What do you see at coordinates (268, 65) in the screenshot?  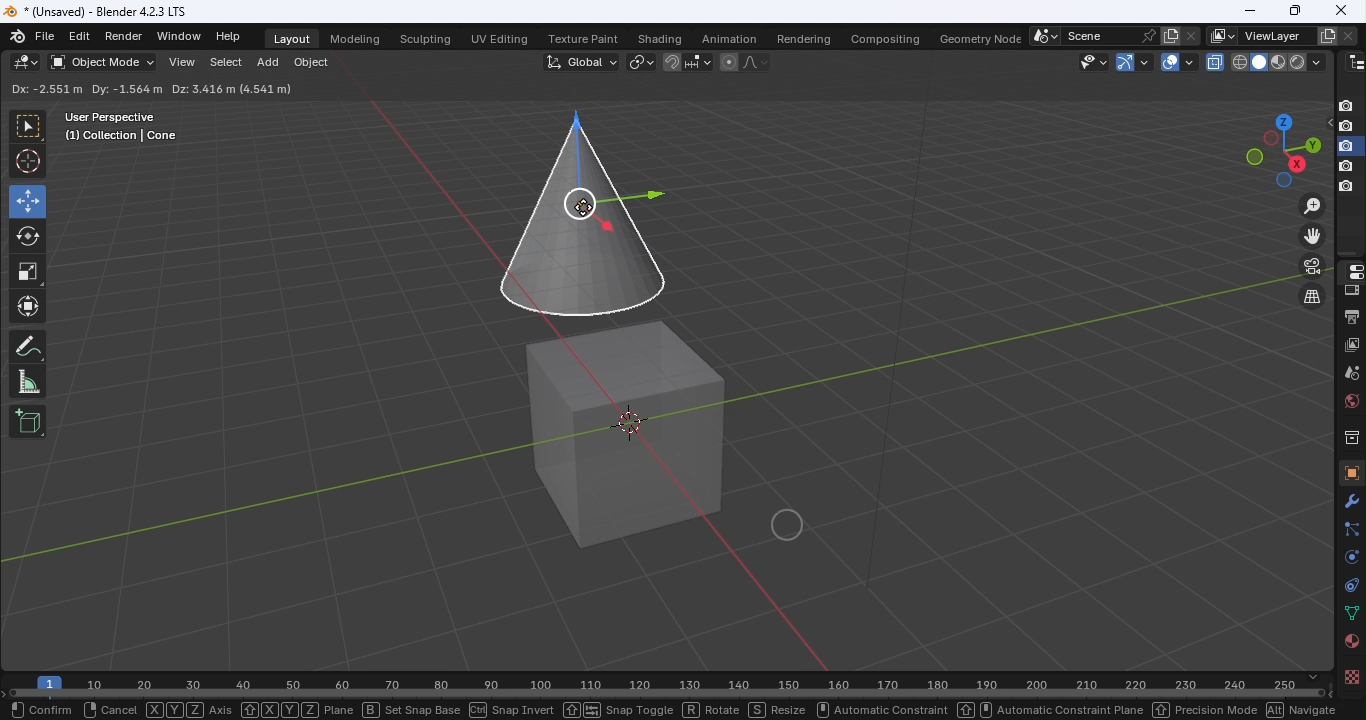 I see `Add` at bounding box center [268, 65].